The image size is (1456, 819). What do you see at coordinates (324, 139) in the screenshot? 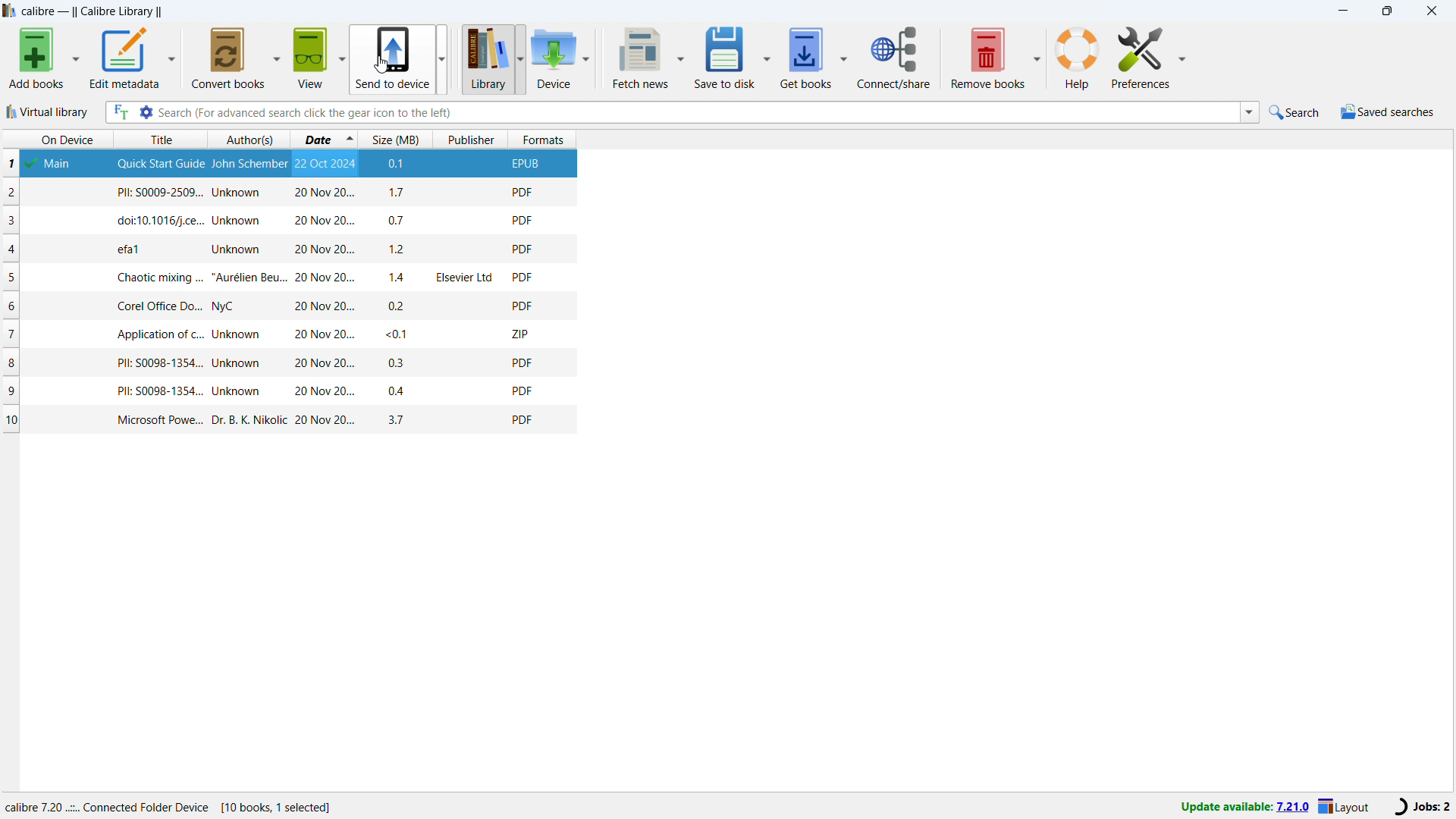
I see `sort by date` at bounding box center [324, 139].